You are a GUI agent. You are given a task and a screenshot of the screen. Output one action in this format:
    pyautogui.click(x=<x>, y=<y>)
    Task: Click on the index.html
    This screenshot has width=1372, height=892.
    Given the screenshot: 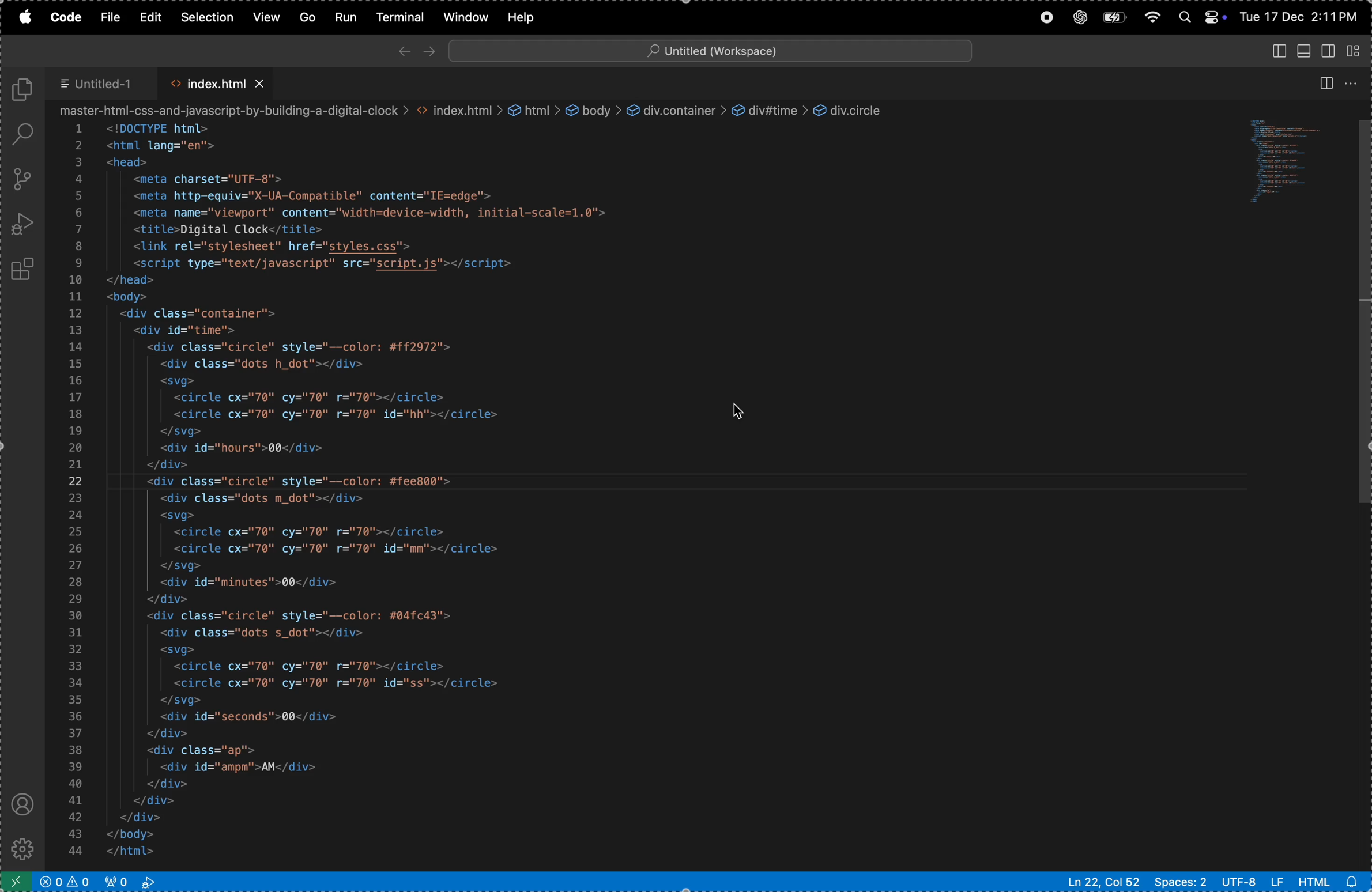 What is the action you would take?
    pyautogui.click(x=216, y=81)
    